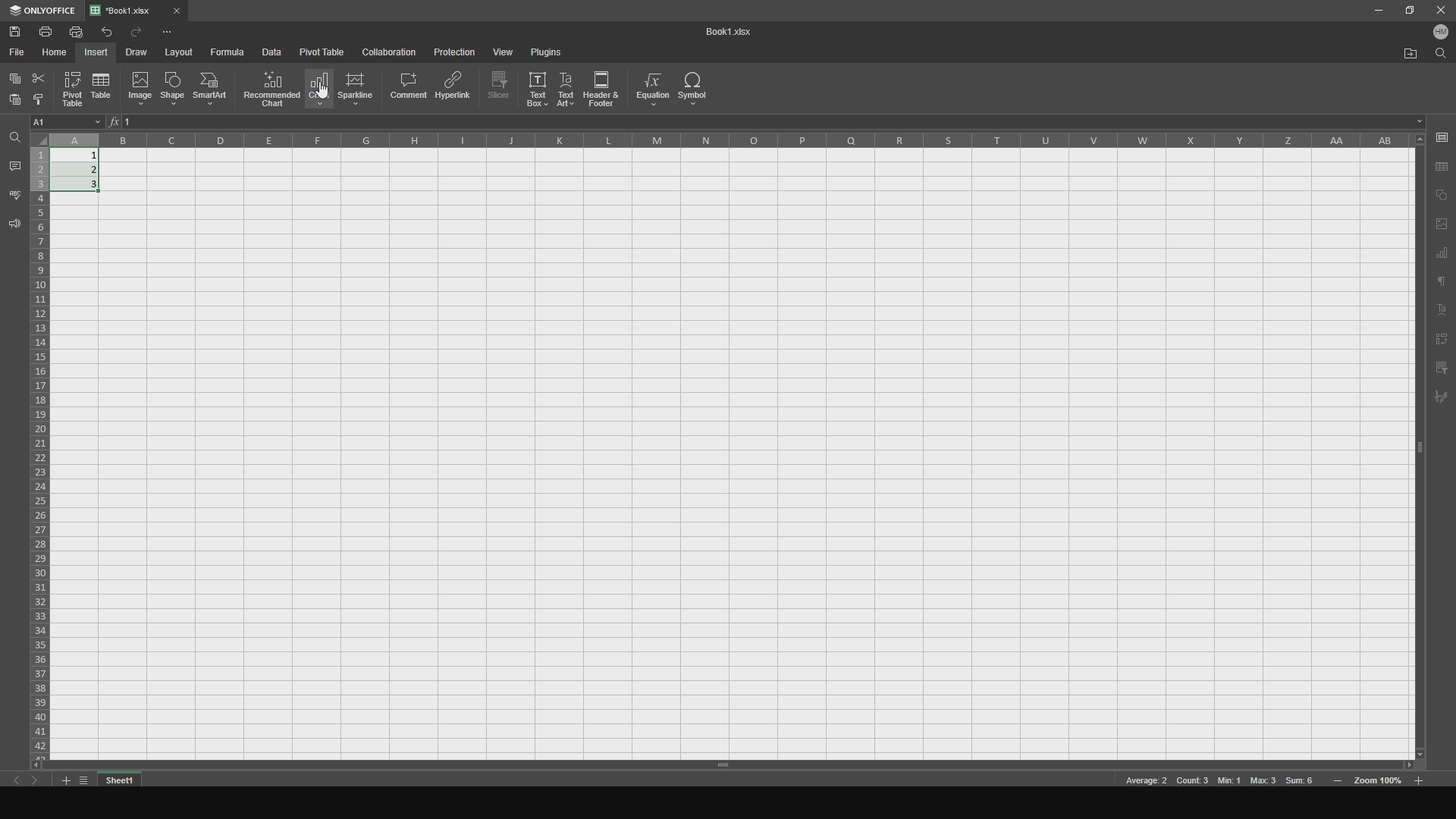 The width and height of the screenshot is (1456, 819). What do you see at coordinates (566, 91) in the screenshot?
I see `text art` at bounding box center [566, 91].